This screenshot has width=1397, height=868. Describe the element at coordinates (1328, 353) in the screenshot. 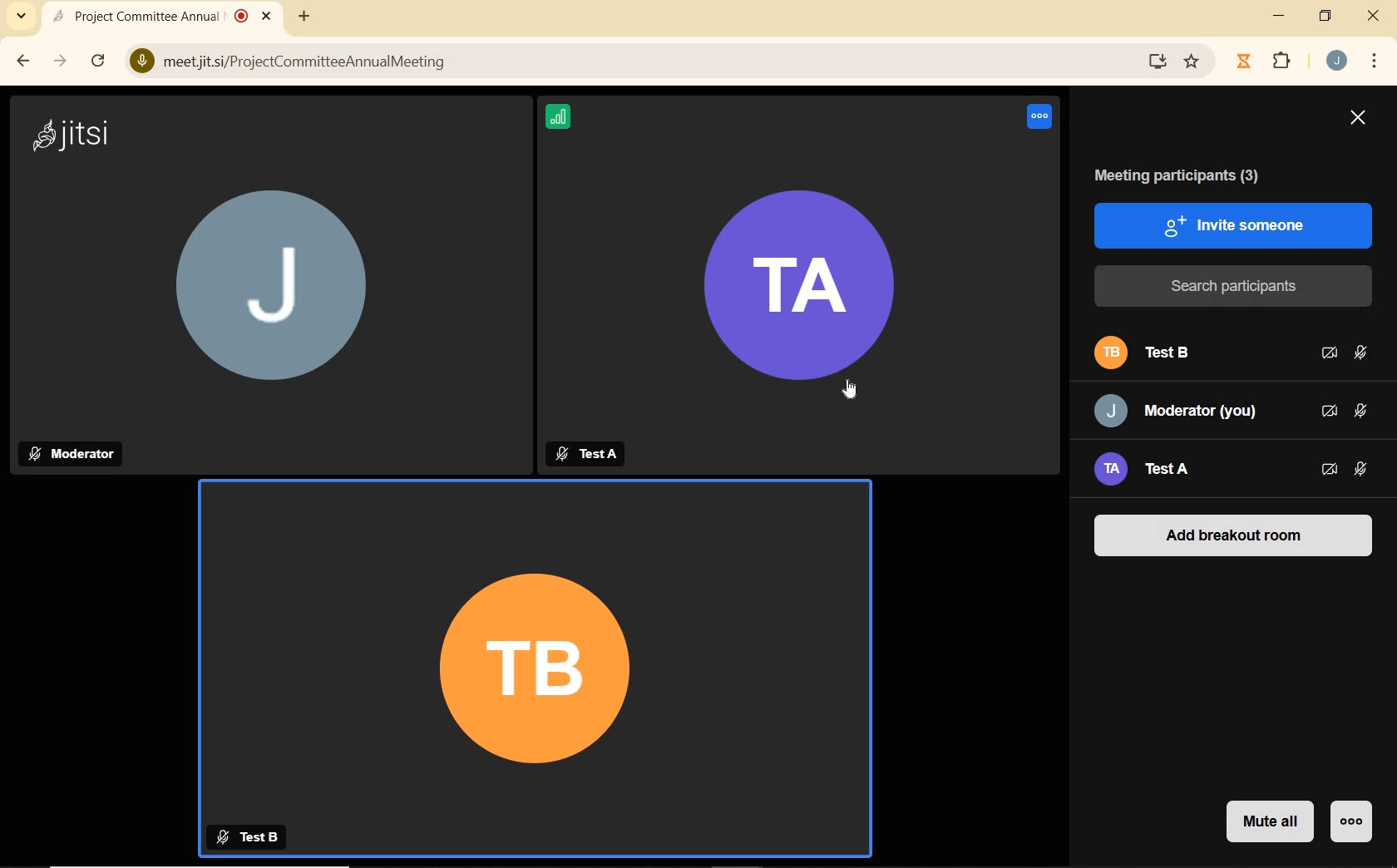

I see `CAMERA` at that location.